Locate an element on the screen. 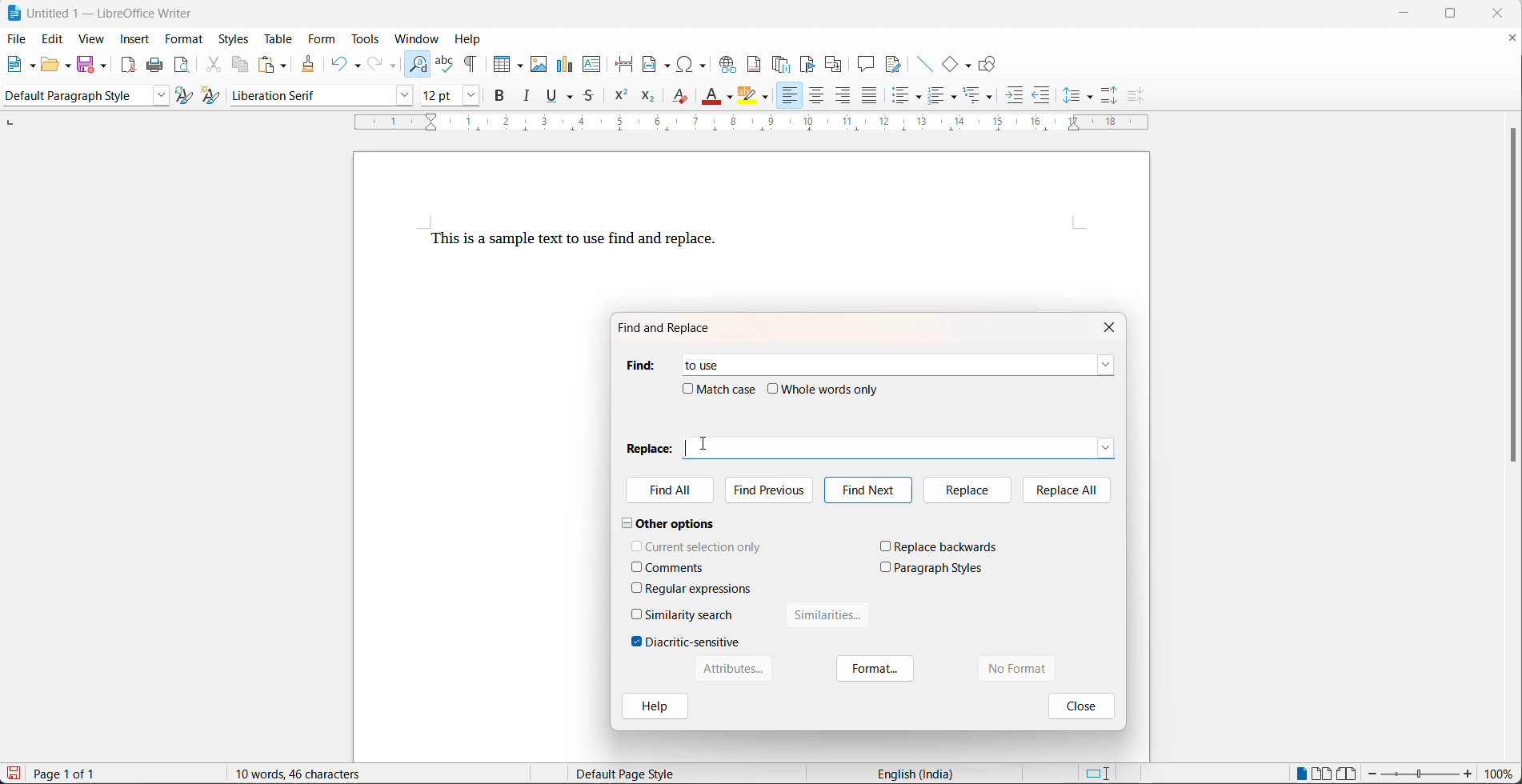 This screenshot has height=784, width=1522. font color is located at coordinates (730, 98).